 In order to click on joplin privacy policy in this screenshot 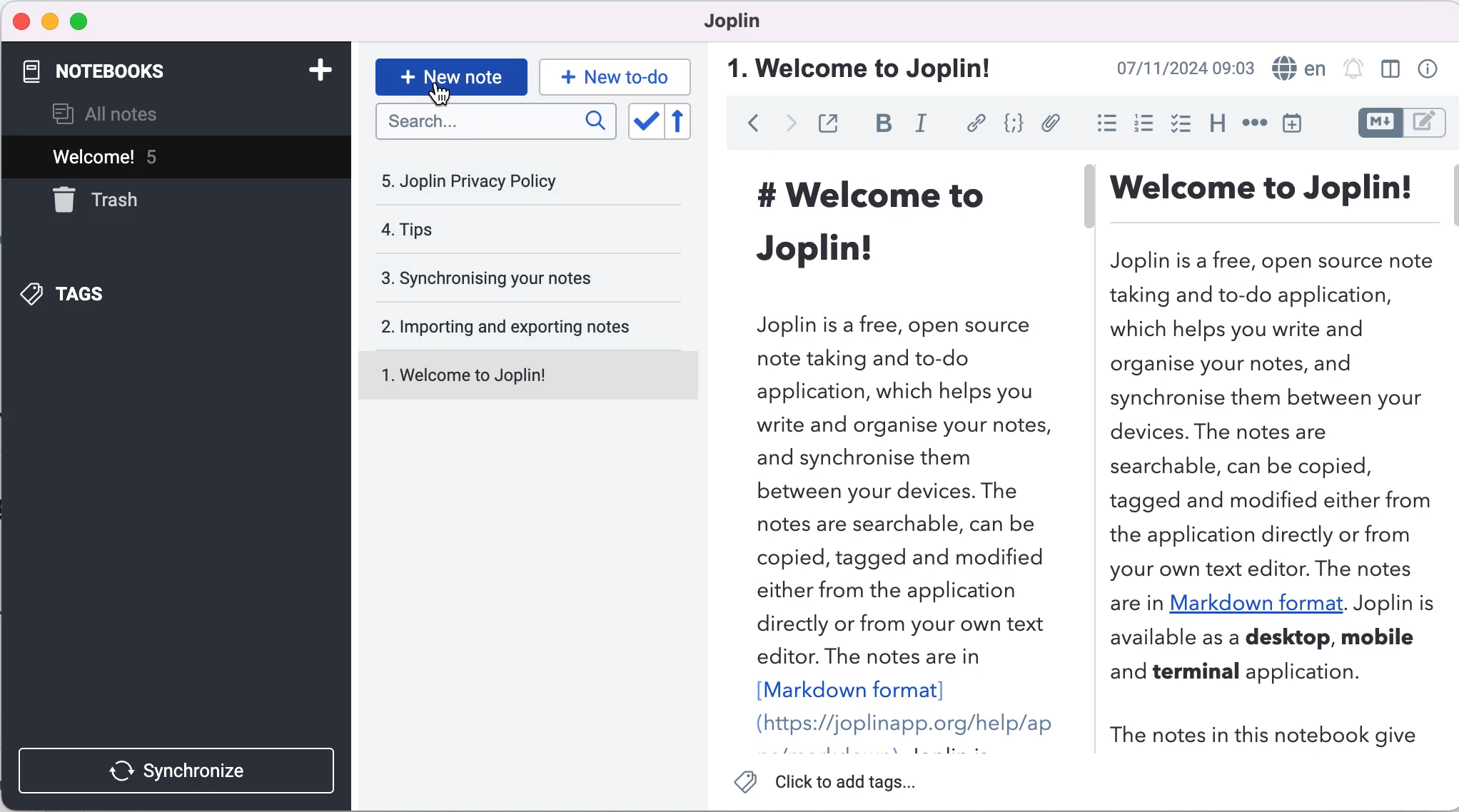, I will do `click(499, 186)`.